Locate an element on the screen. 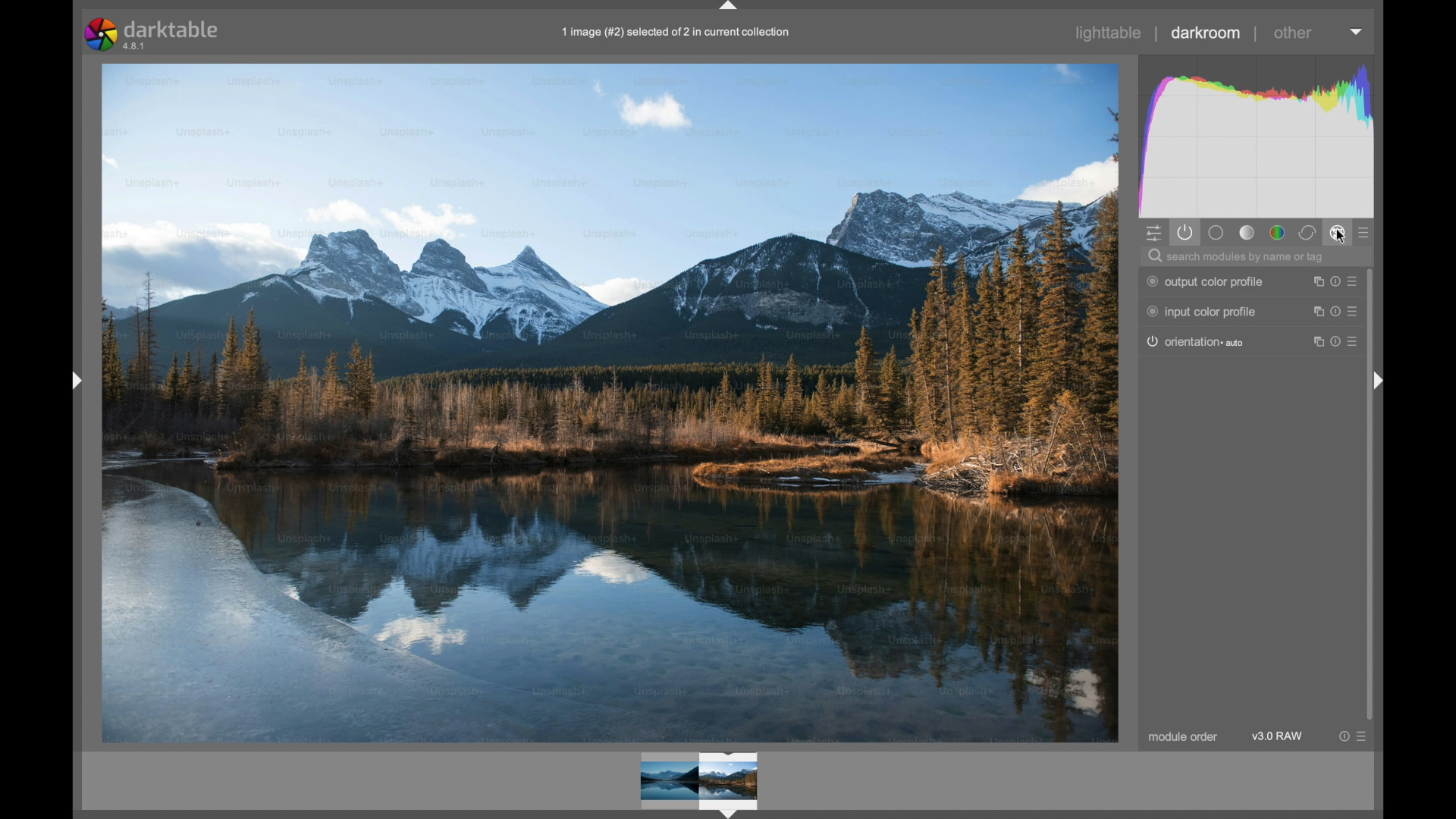  other is located at coordinates (1291, 33).